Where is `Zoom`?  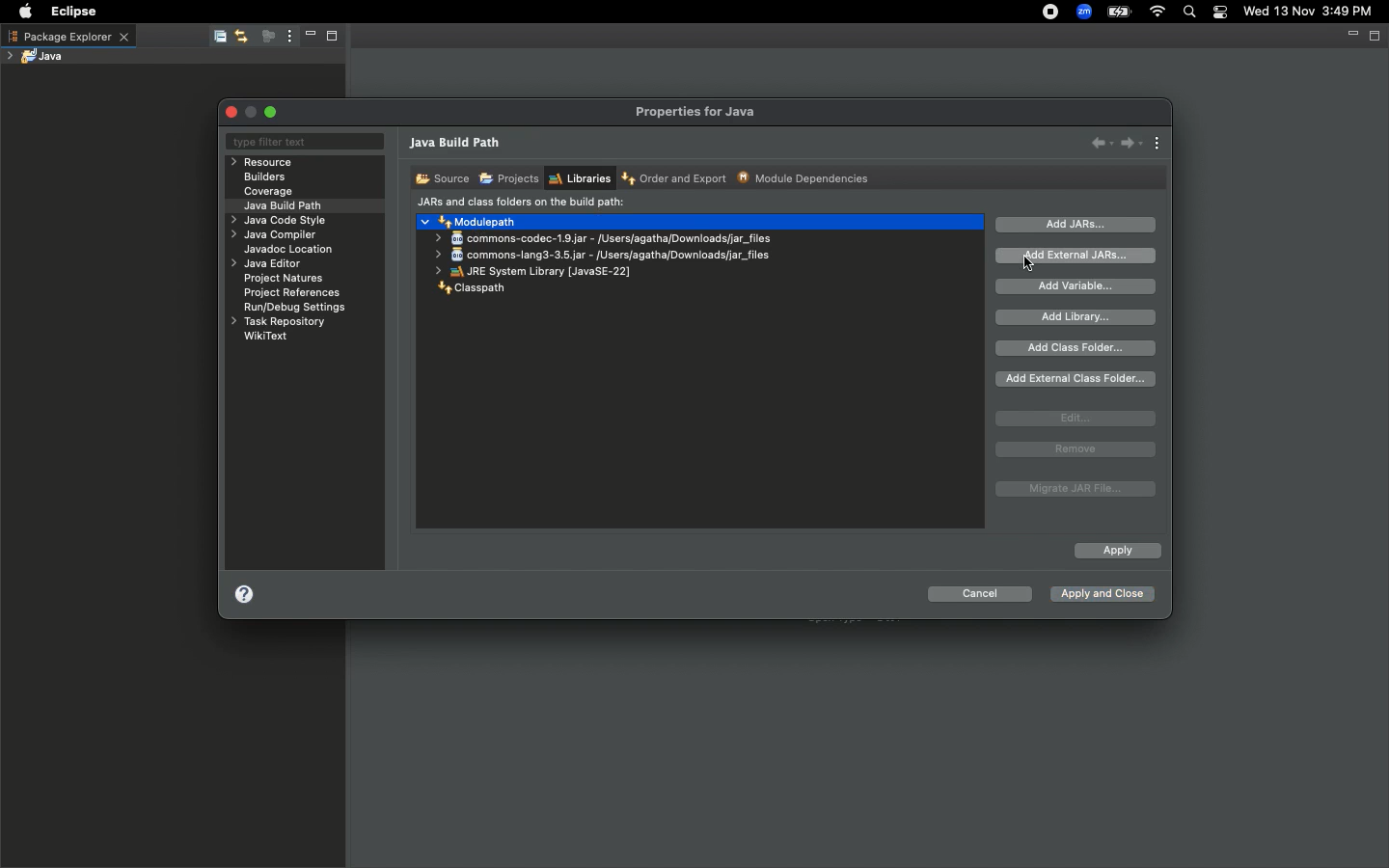
Zoom is located at coordinates (1085, 12).